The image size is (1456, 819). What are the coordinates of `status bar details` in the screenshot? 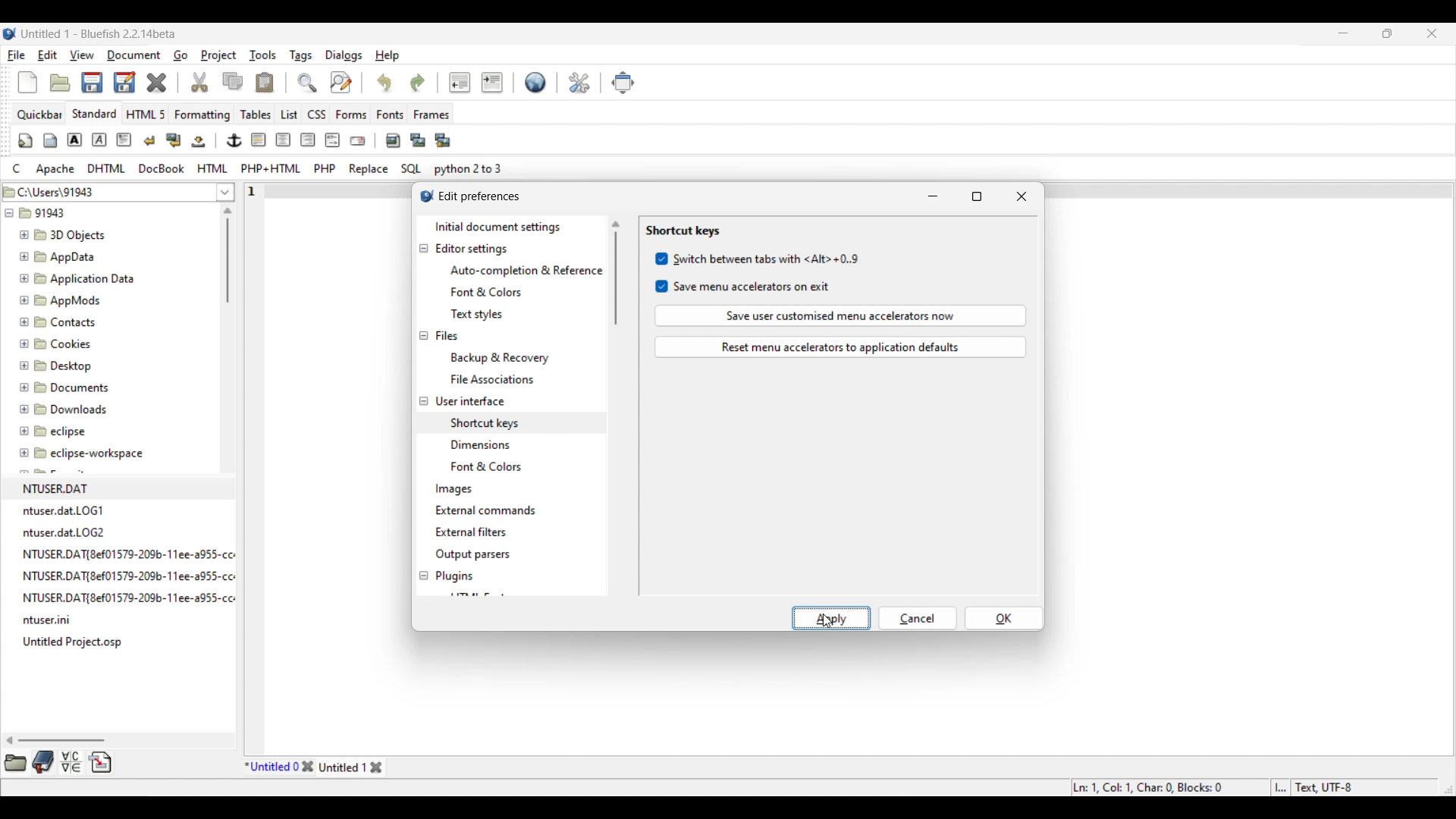 It's located at (1242, 786).